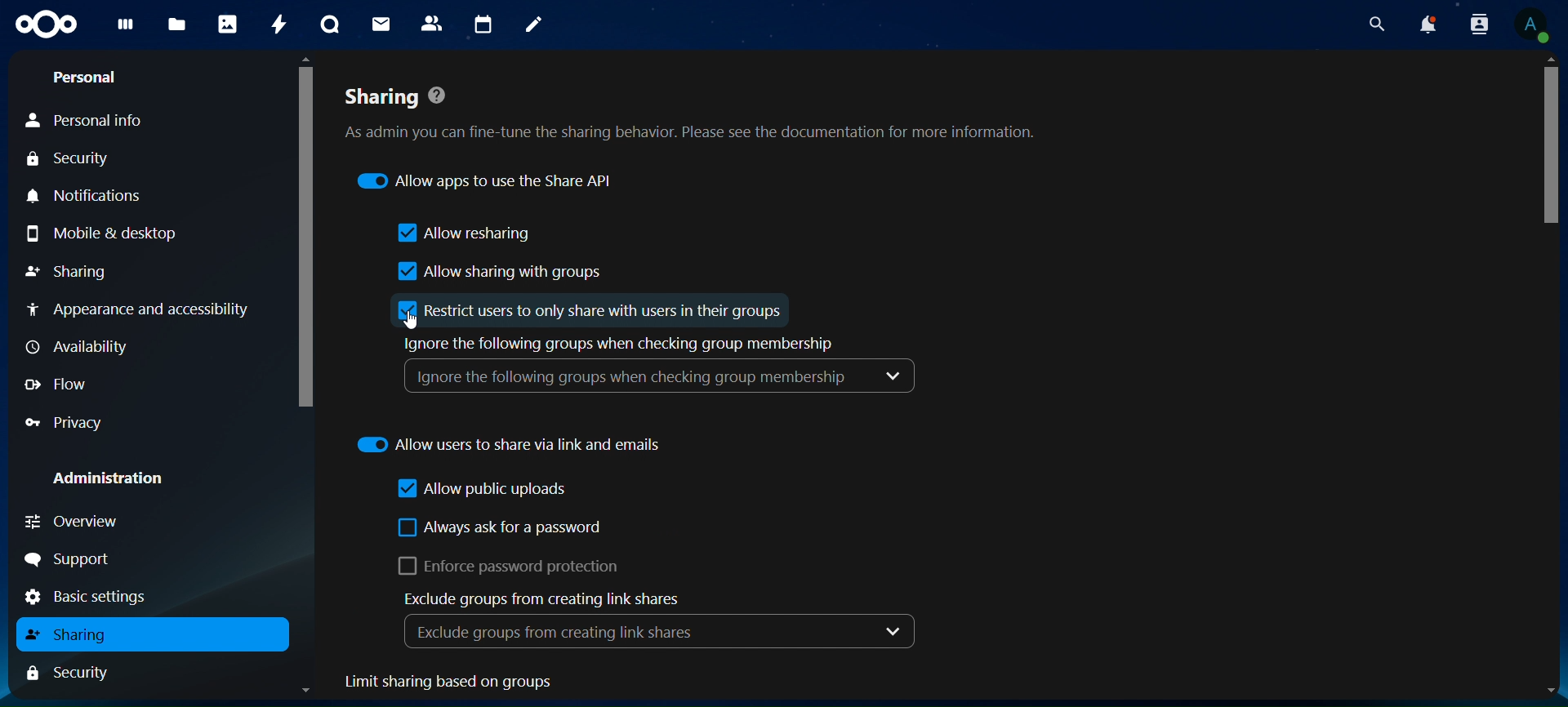  What do you see at coordinates (411, 319) in the screenshot?
I see `cursor` at bounding box center [411, 319].